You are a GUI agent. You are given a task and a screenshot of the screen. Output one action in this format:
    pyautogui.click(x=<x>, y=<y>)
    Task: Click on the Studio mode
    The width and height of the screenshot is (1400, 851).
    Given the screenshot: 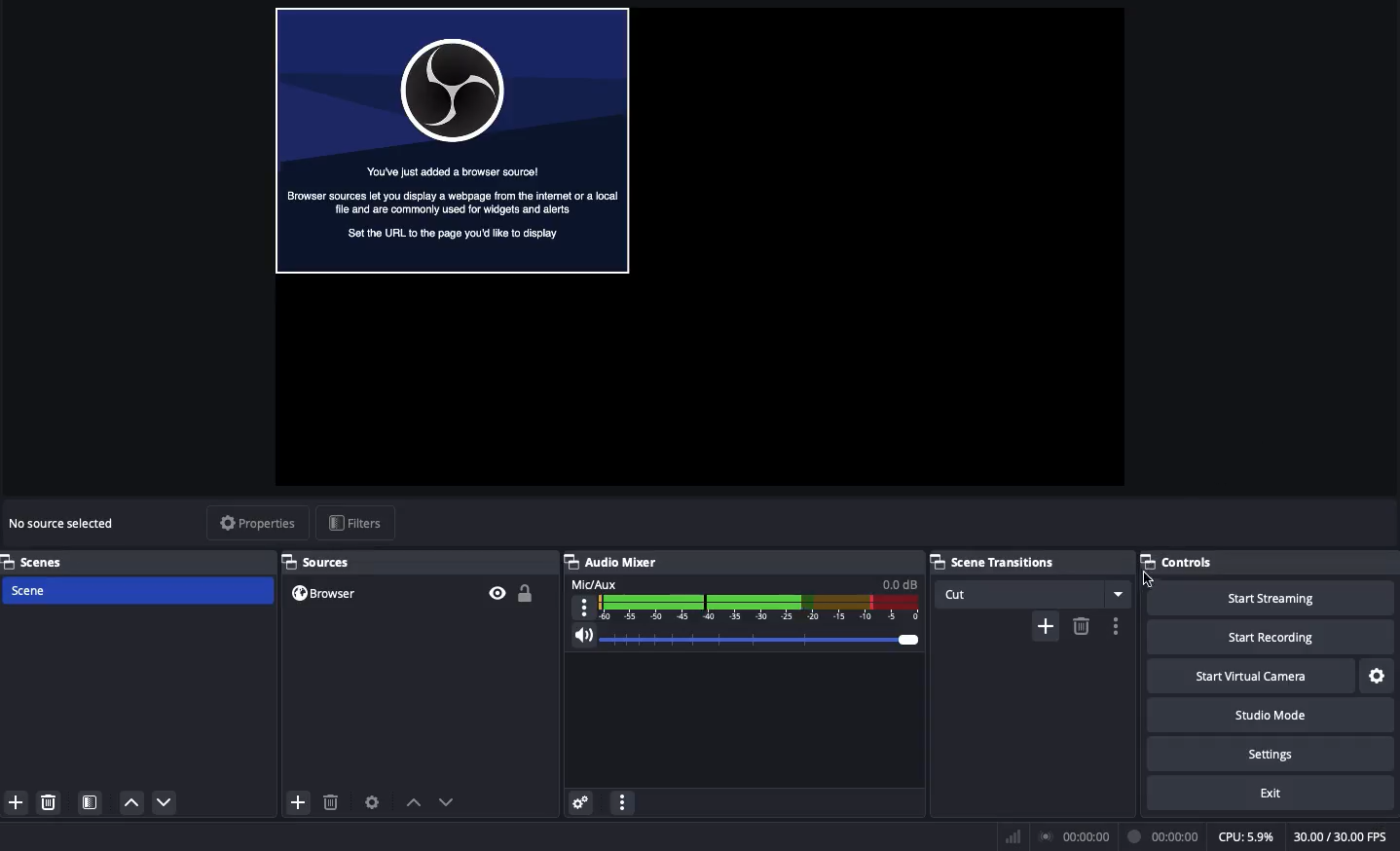 What is the action you would take?
    pyautogui.click(x=1266, y=715)
    